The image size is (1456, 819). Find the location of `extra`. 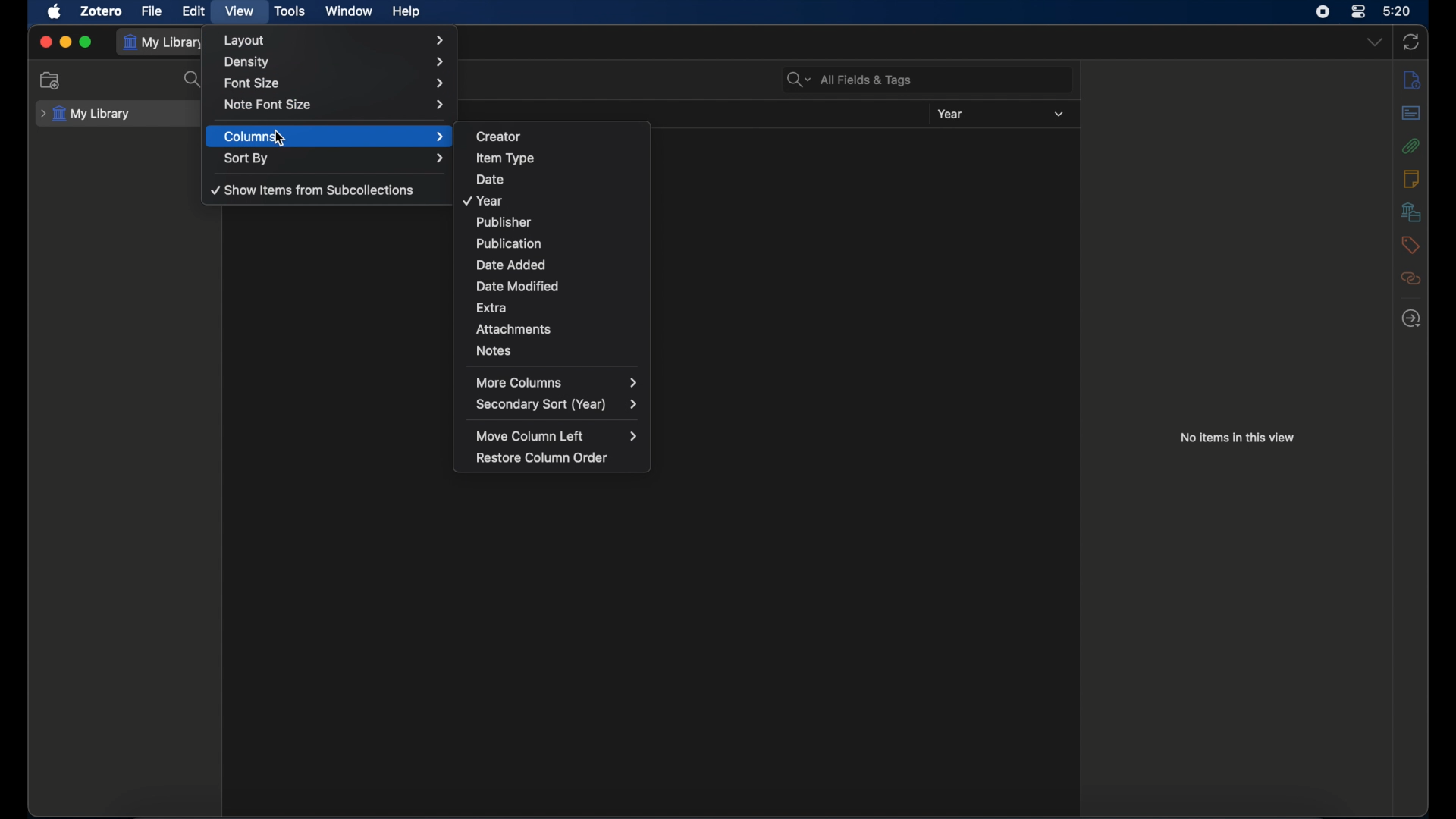

extra is located at coordinates (563, 307).